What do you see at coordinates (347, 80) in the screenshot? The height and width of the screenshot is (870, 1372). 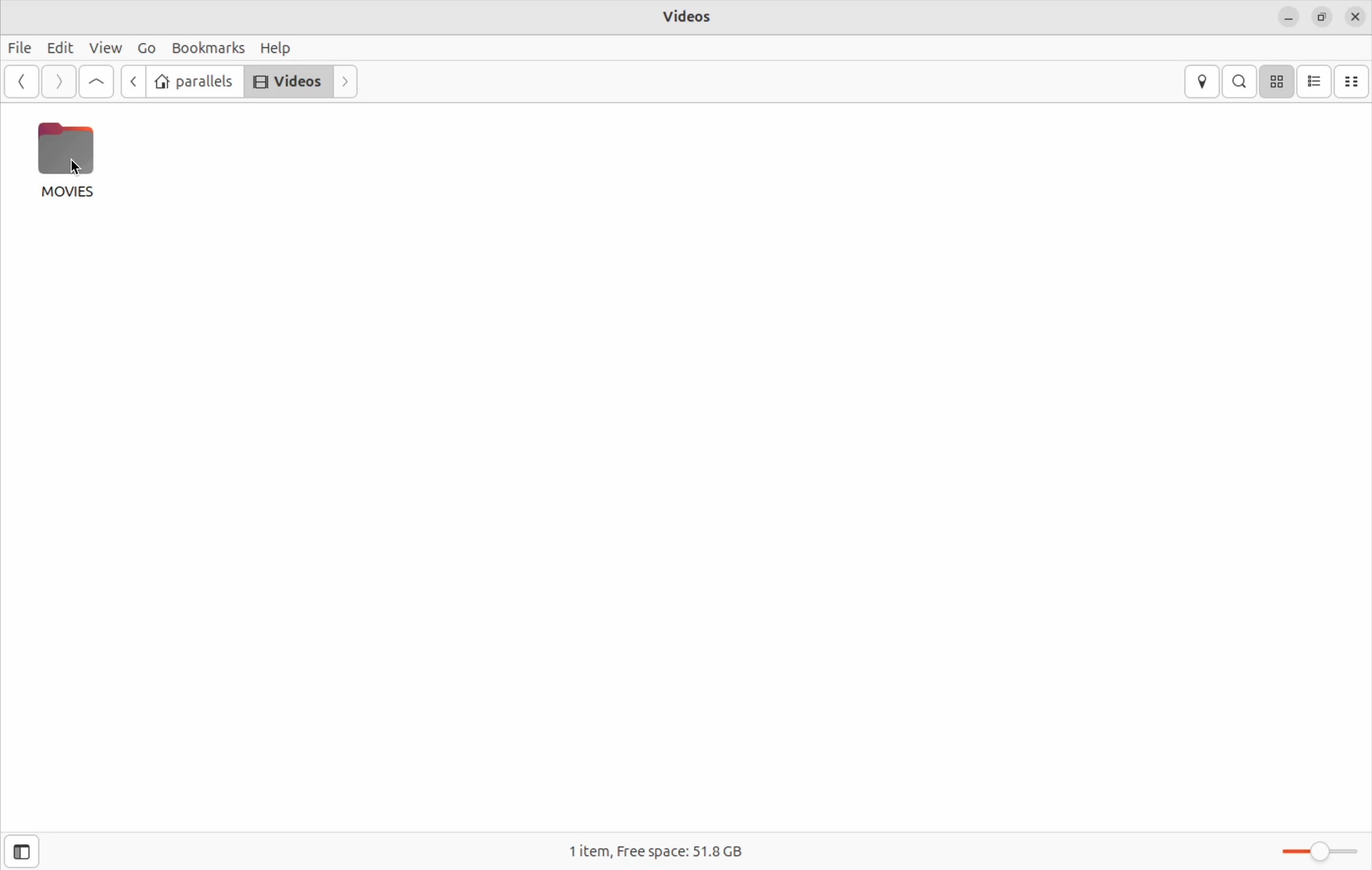 I see `next` at bounding box center [347, 80].